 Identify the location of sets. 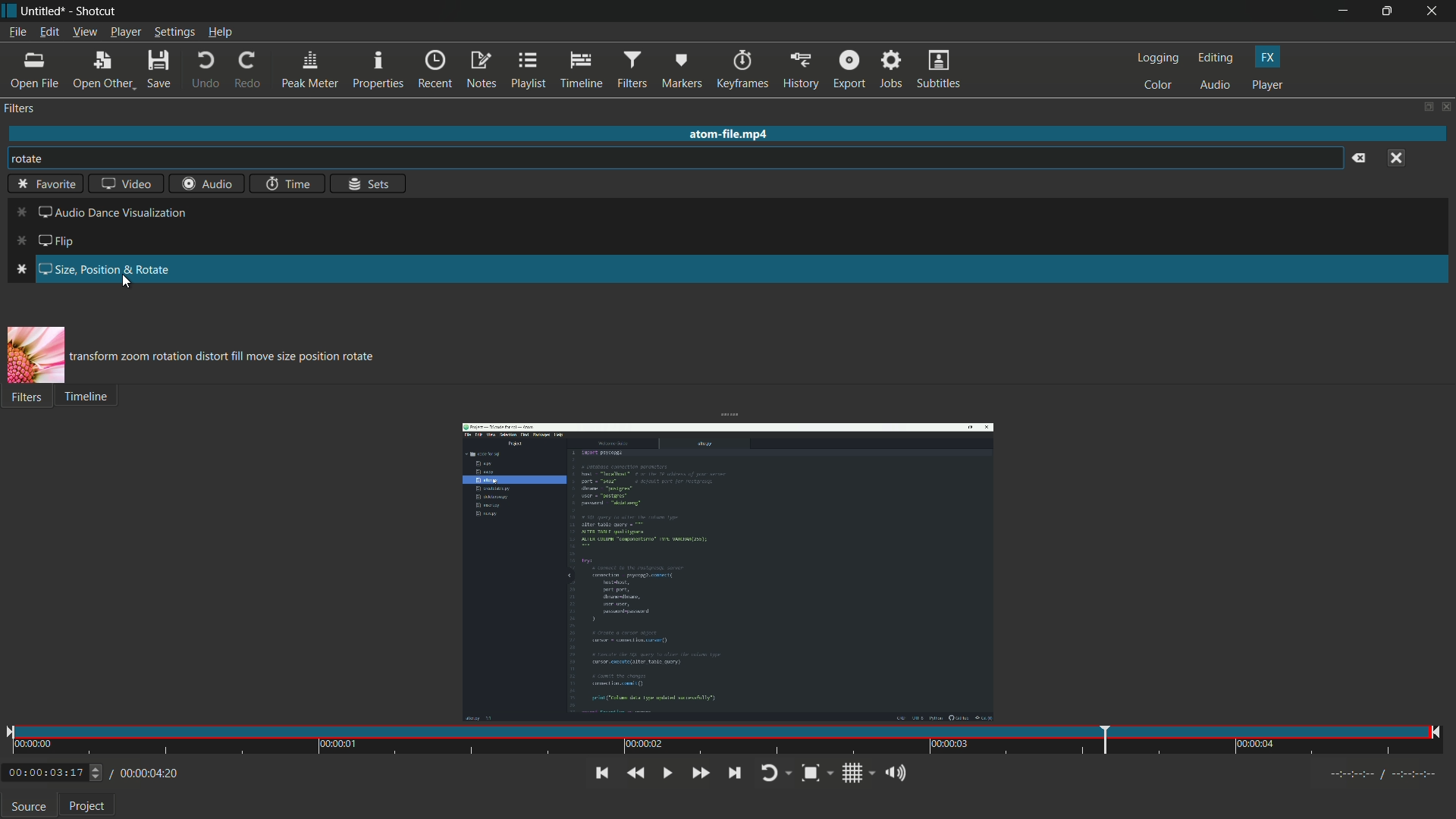
(368, 183).